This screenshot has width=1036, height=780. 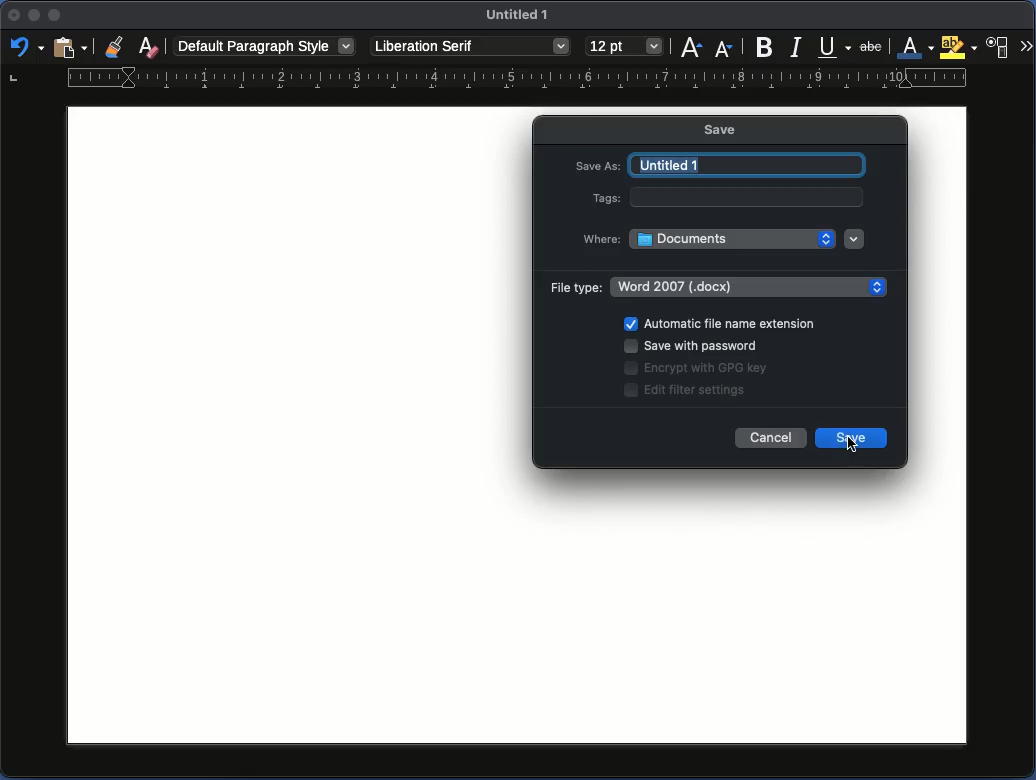 I want to click on Underline, so click(x=835, y=46).